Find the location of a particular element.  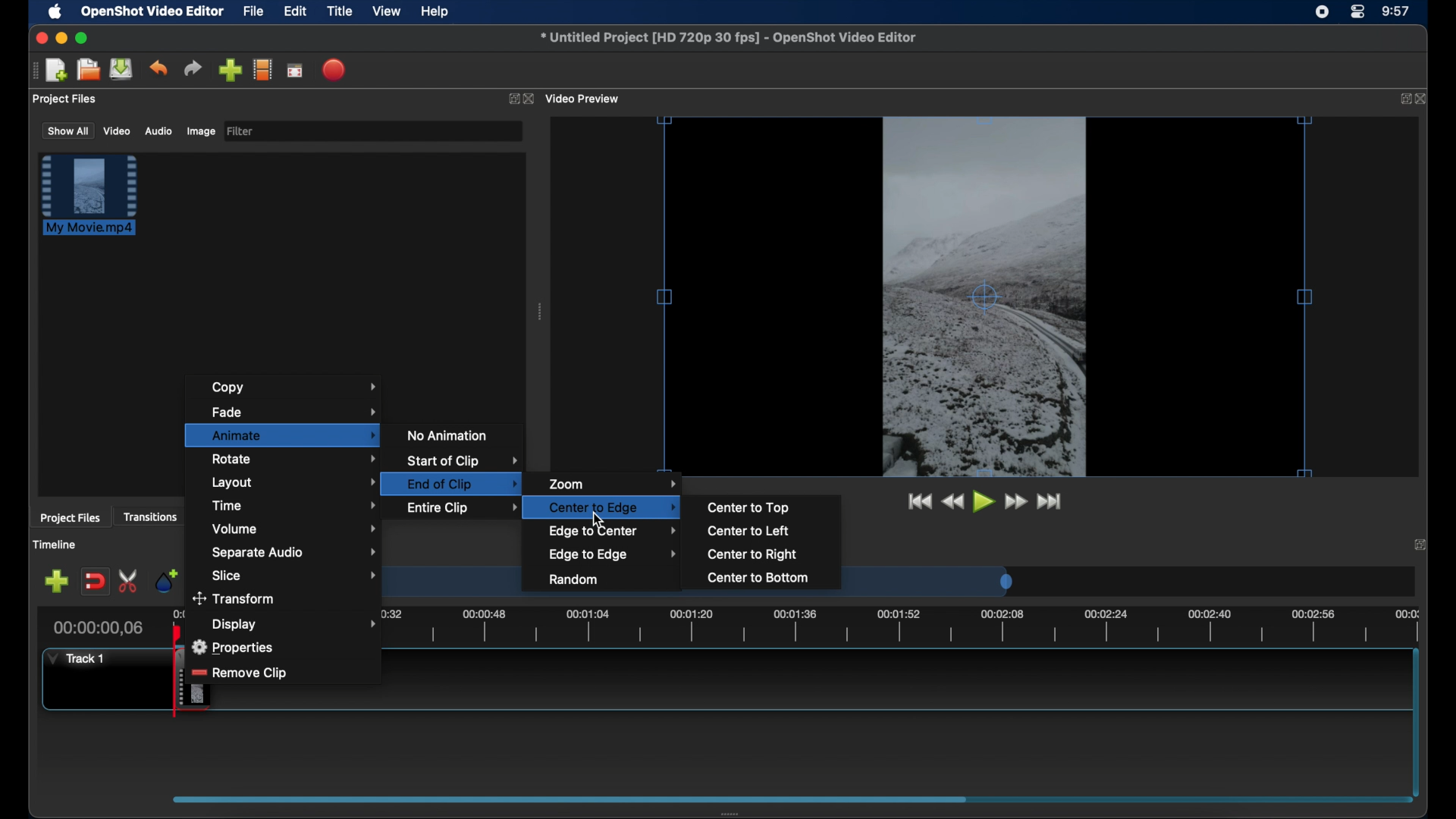

save files is located at coordinates (123, 69).